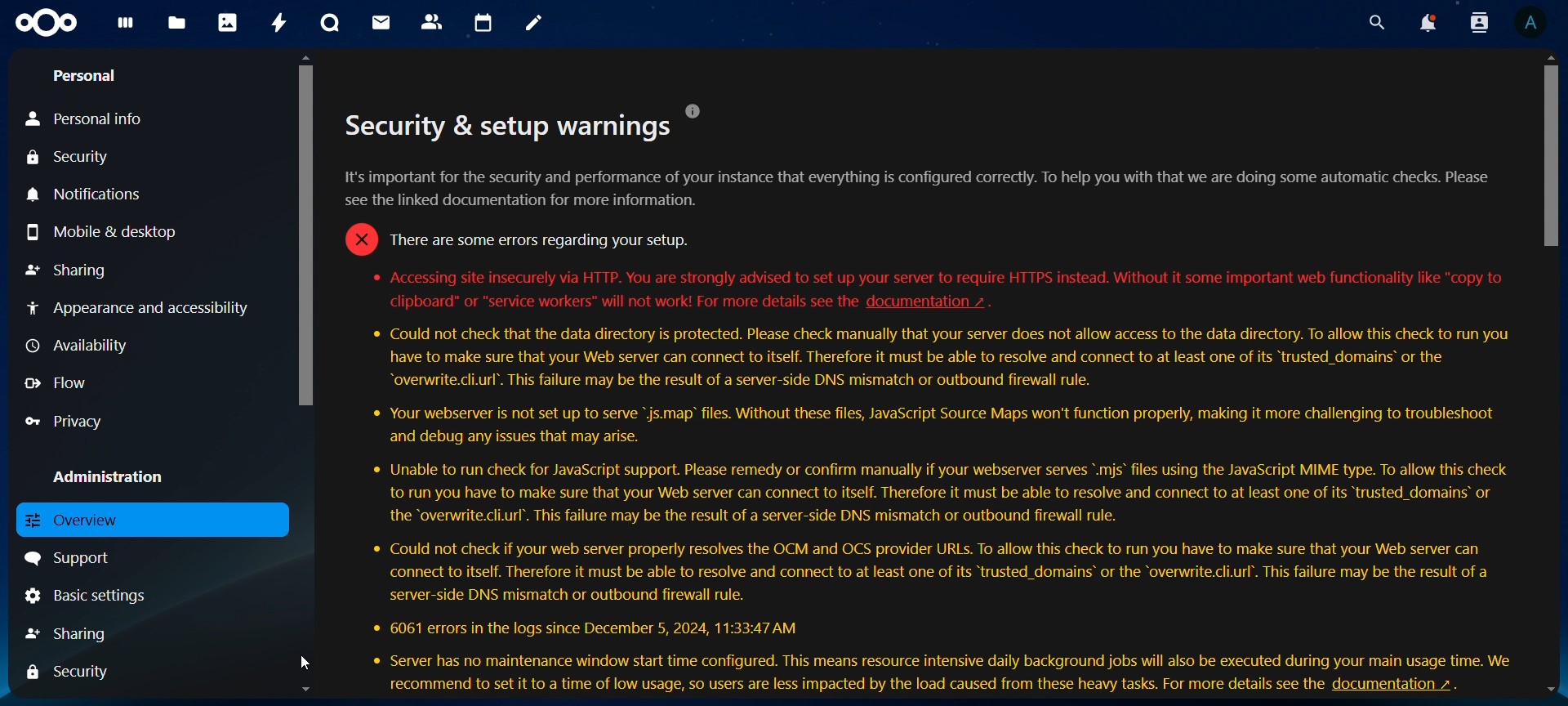  I want to click on vertical scroll bar, so click(299, 233).